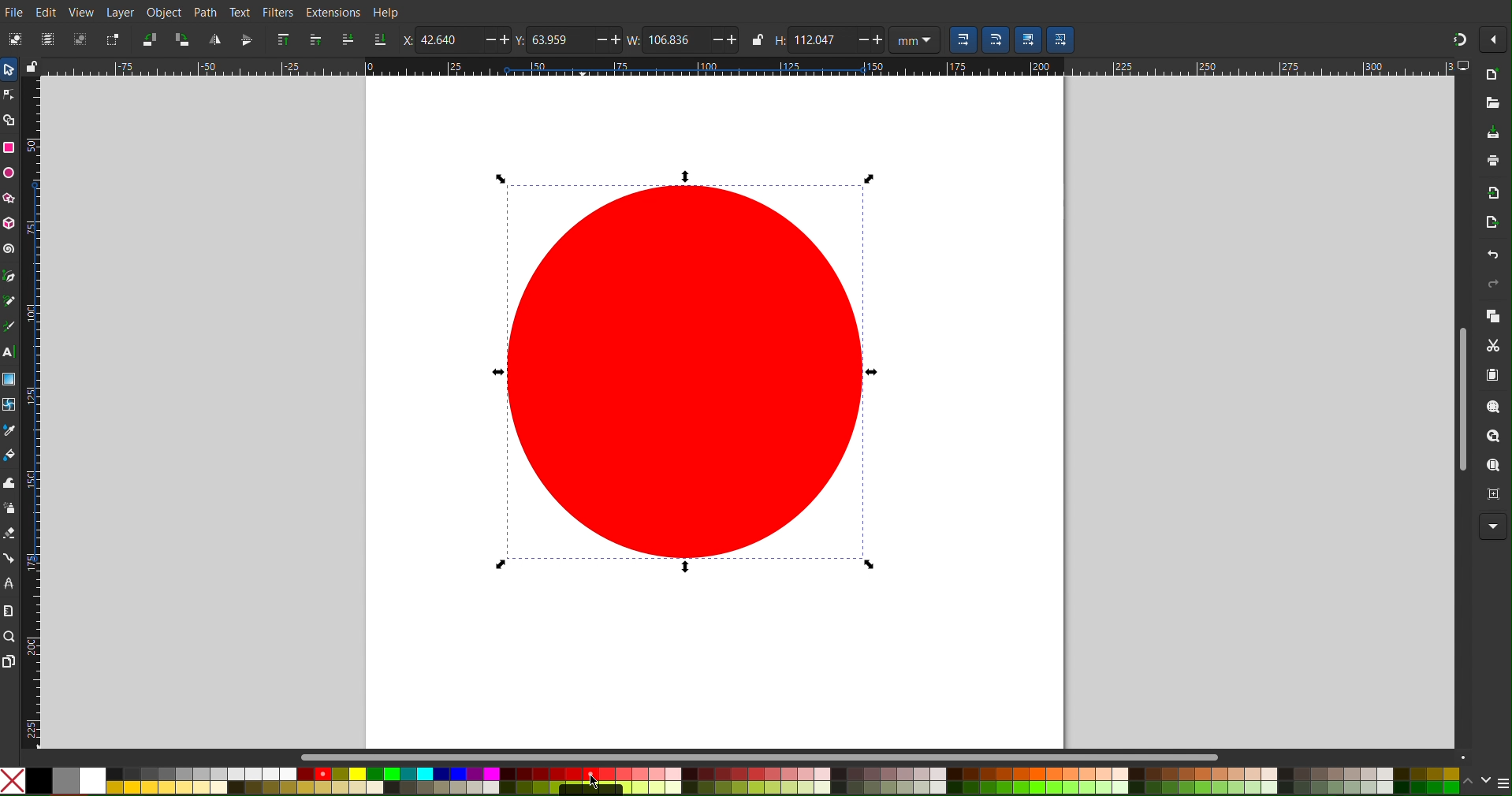 The height and width of the screenshot is (796, 1512). I want to click on Y Coords, so click(523, 39).